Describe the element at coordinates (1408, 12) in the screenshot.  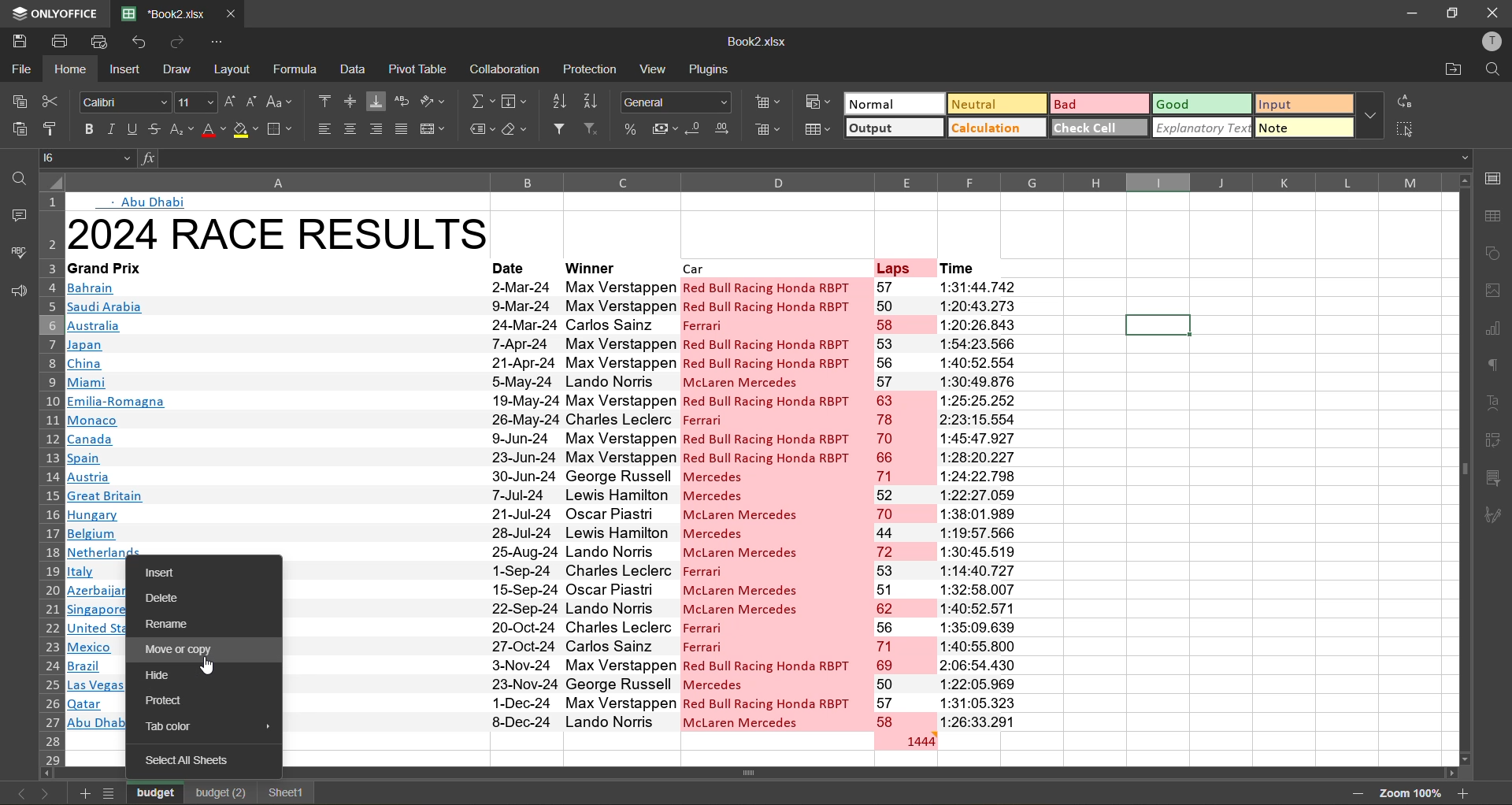
I see `minimize` at that location.